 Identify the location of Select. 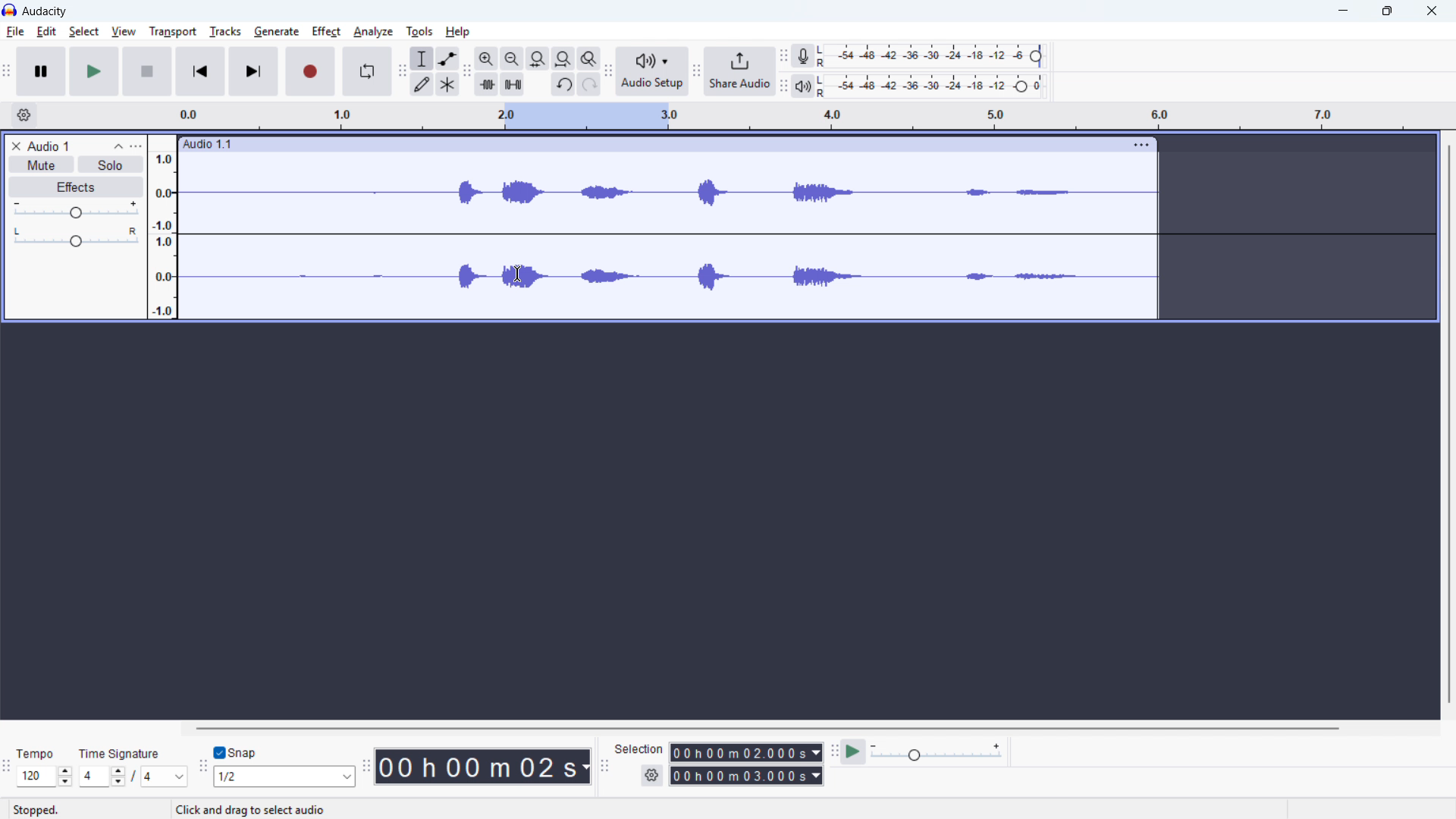
(83, 32).